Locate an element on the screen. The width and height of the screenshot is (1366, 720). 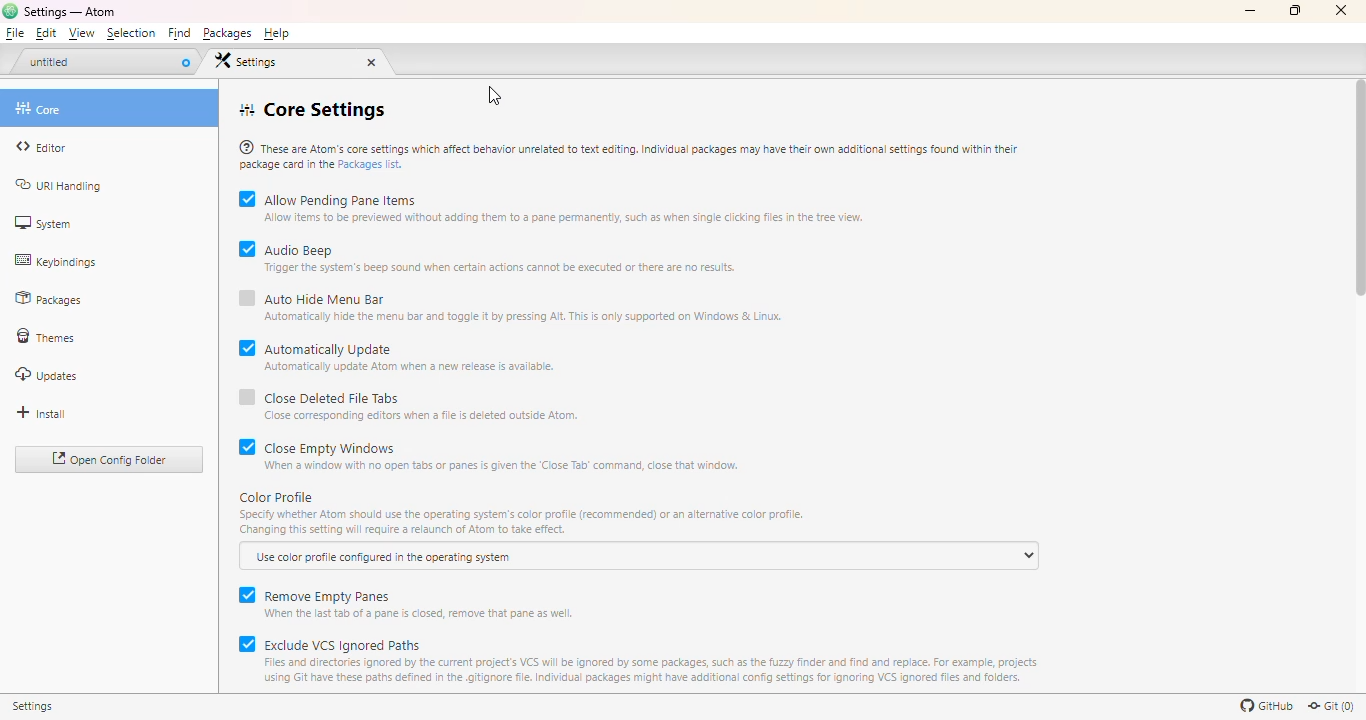
updates is located at coordinates (47, 375).